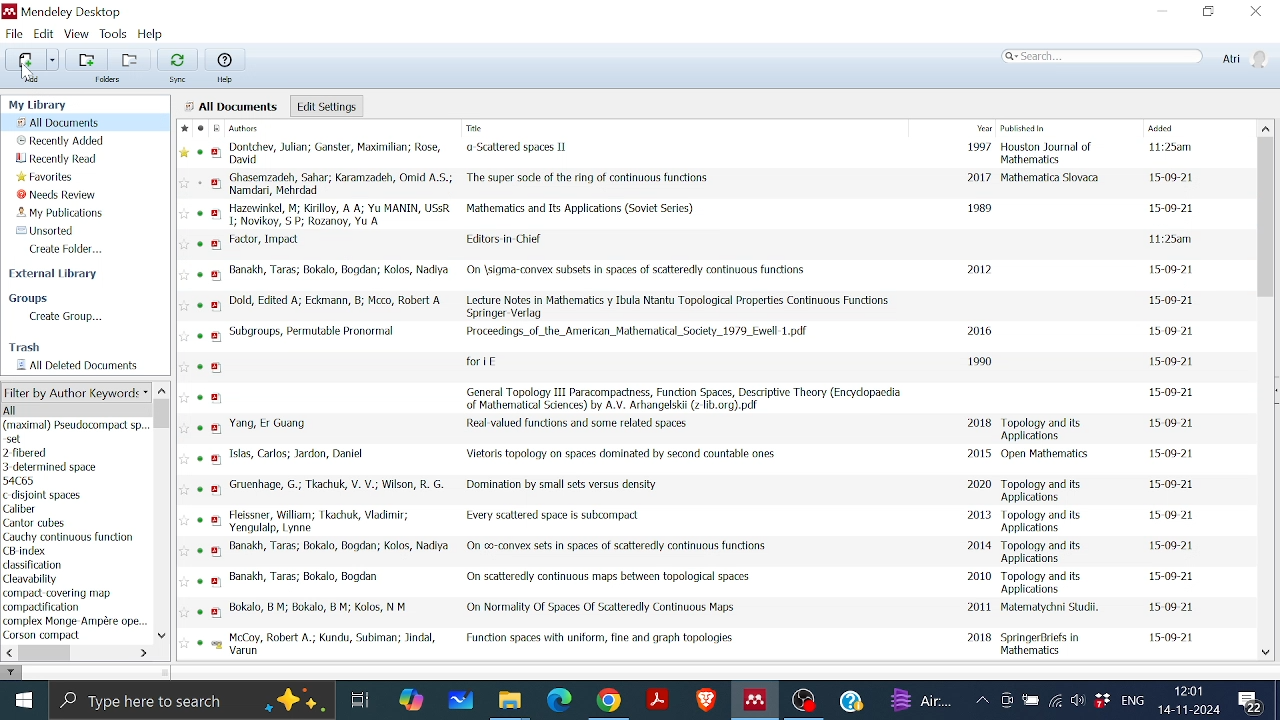  What do you see at coordinates (183, 428) in the screenshot?
I see `Favourite` at bounding box center [183, 428].